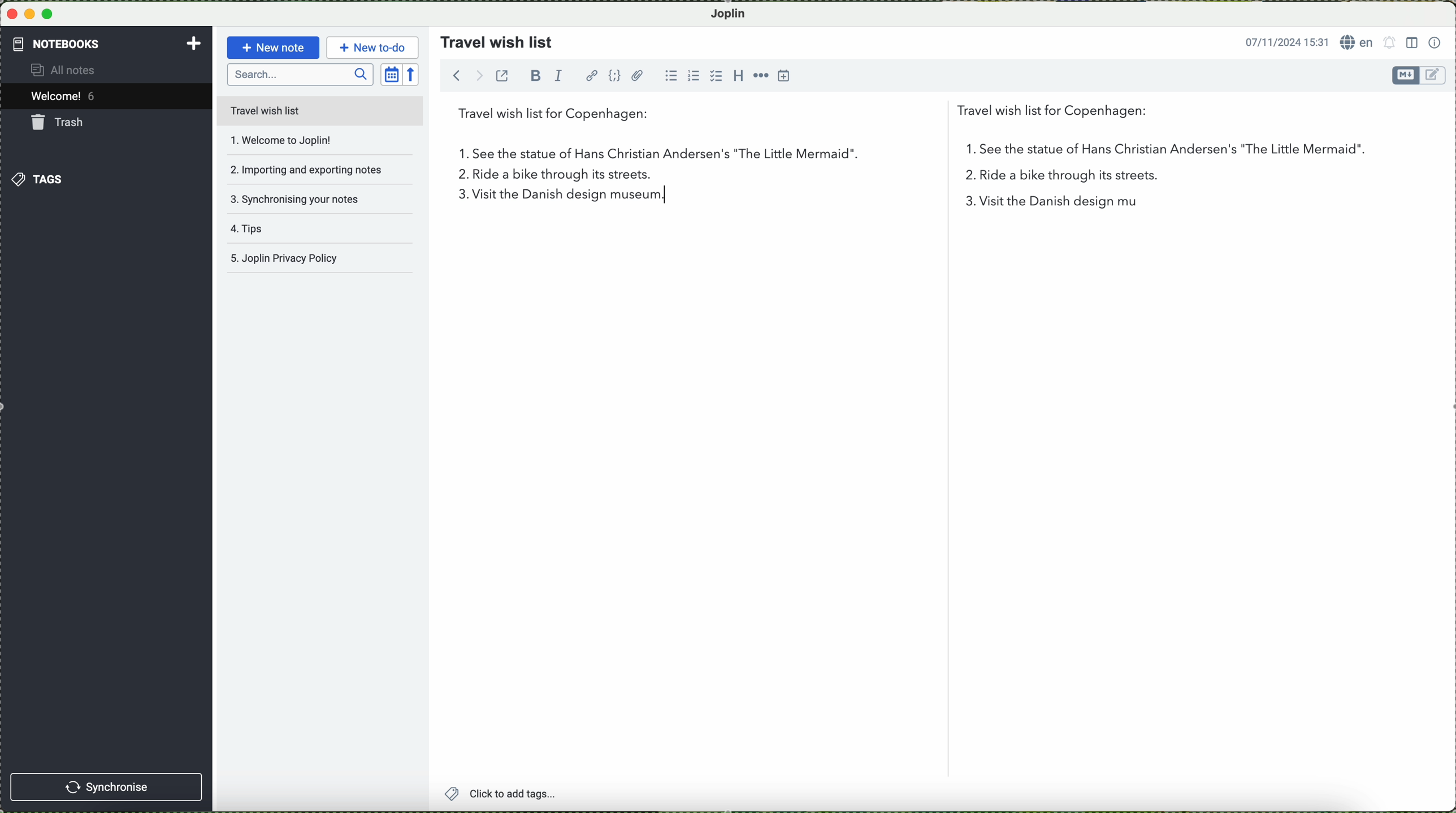 This screenshot has height=813, width=1456. Describe the element at coordinates (809, 202) in the screenshot. I see `visit the Danish design museum.` at that location.